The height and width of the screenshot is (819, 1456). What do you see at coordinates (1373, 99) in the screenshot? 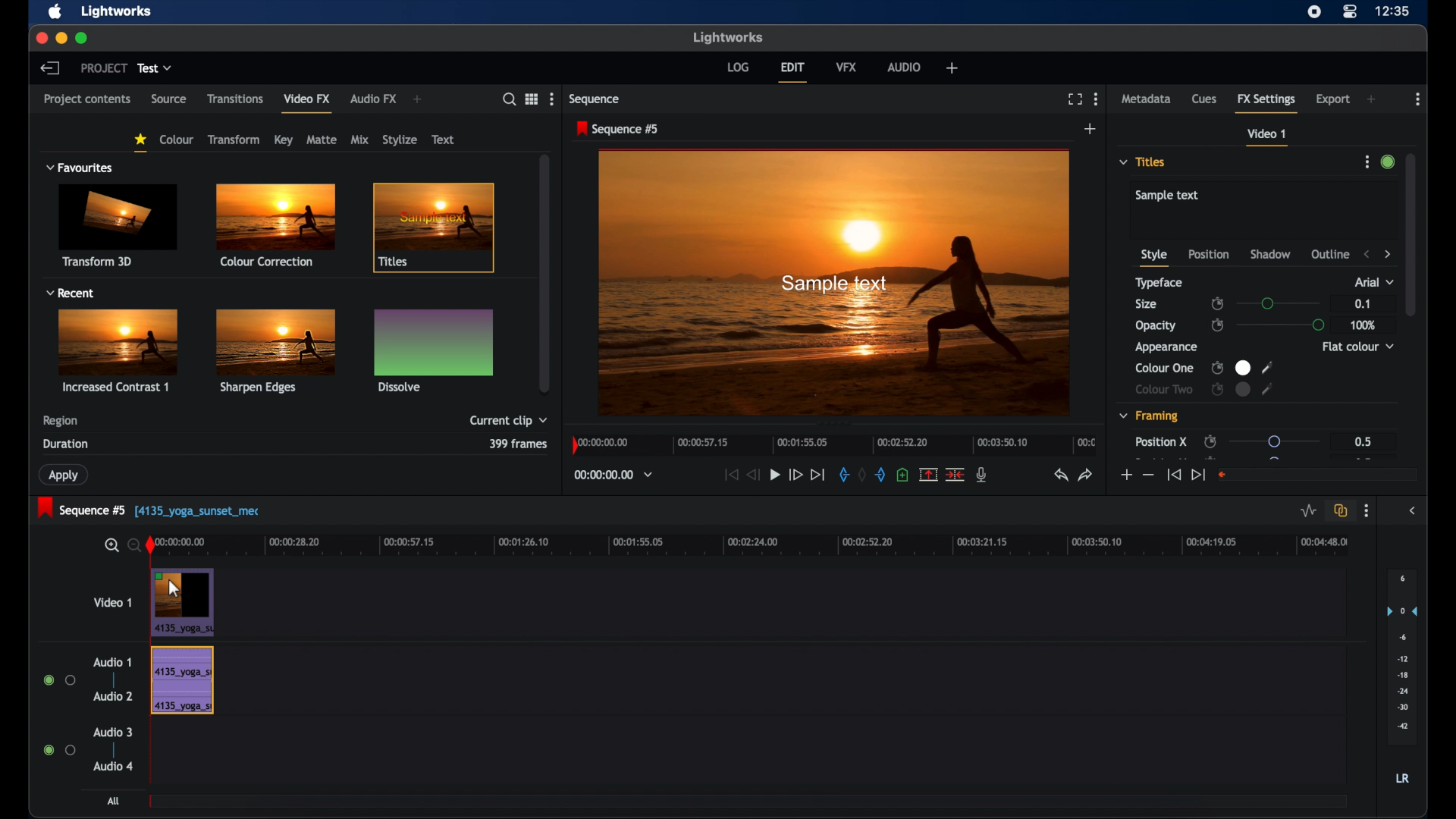
I see `add` at bounding box center [1373, 99].